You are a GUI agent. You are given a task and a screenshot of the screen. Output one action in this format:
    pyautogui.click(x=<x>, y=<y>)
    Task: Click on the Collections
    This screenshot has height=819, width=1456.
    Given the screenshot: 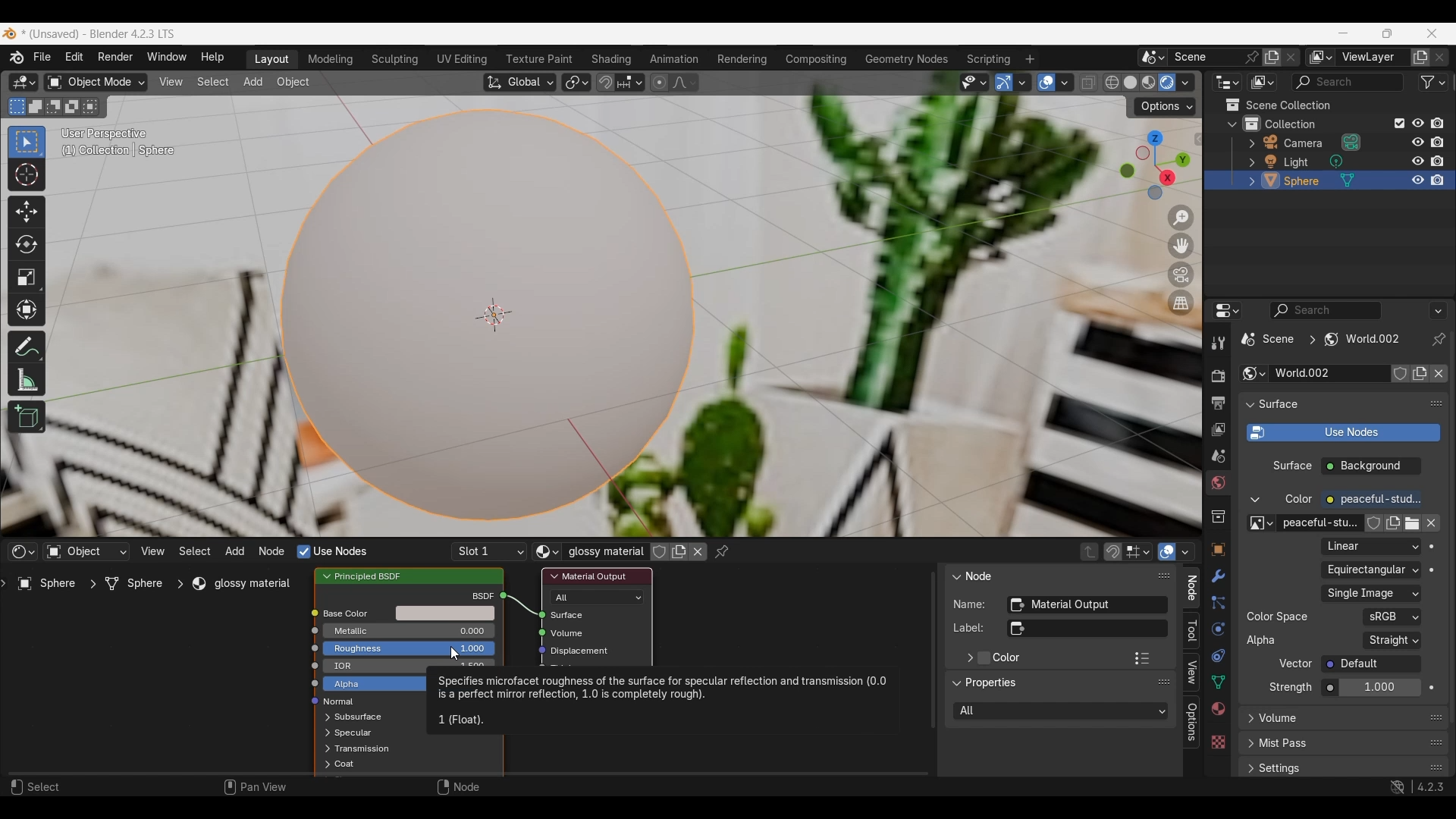 What is the action you would take?
    pyautogui.click(x=1251, y=123)
    